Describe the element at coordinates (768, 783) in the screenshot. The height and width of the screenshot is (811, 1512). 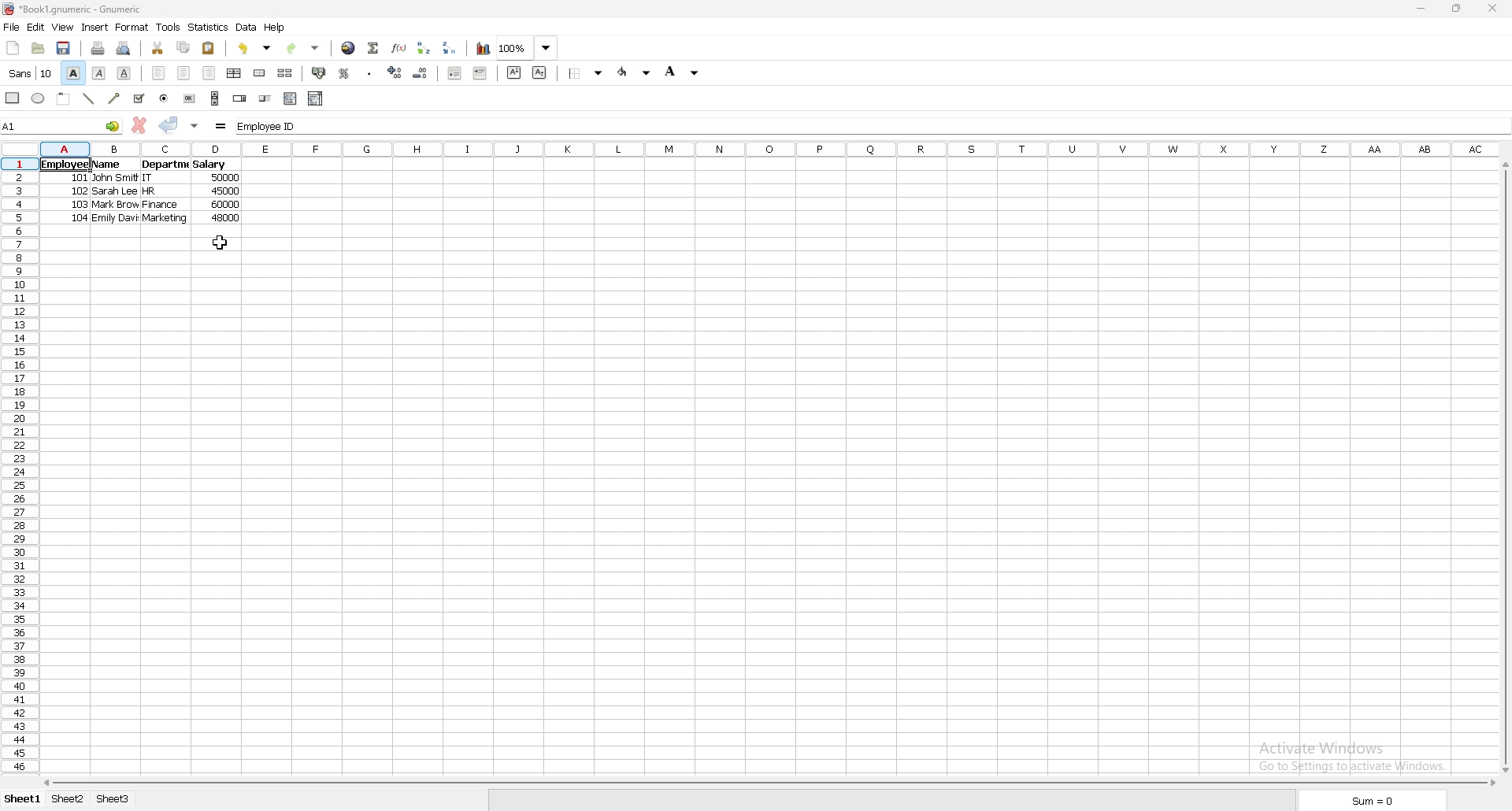
I see `scroll bar` at that location.